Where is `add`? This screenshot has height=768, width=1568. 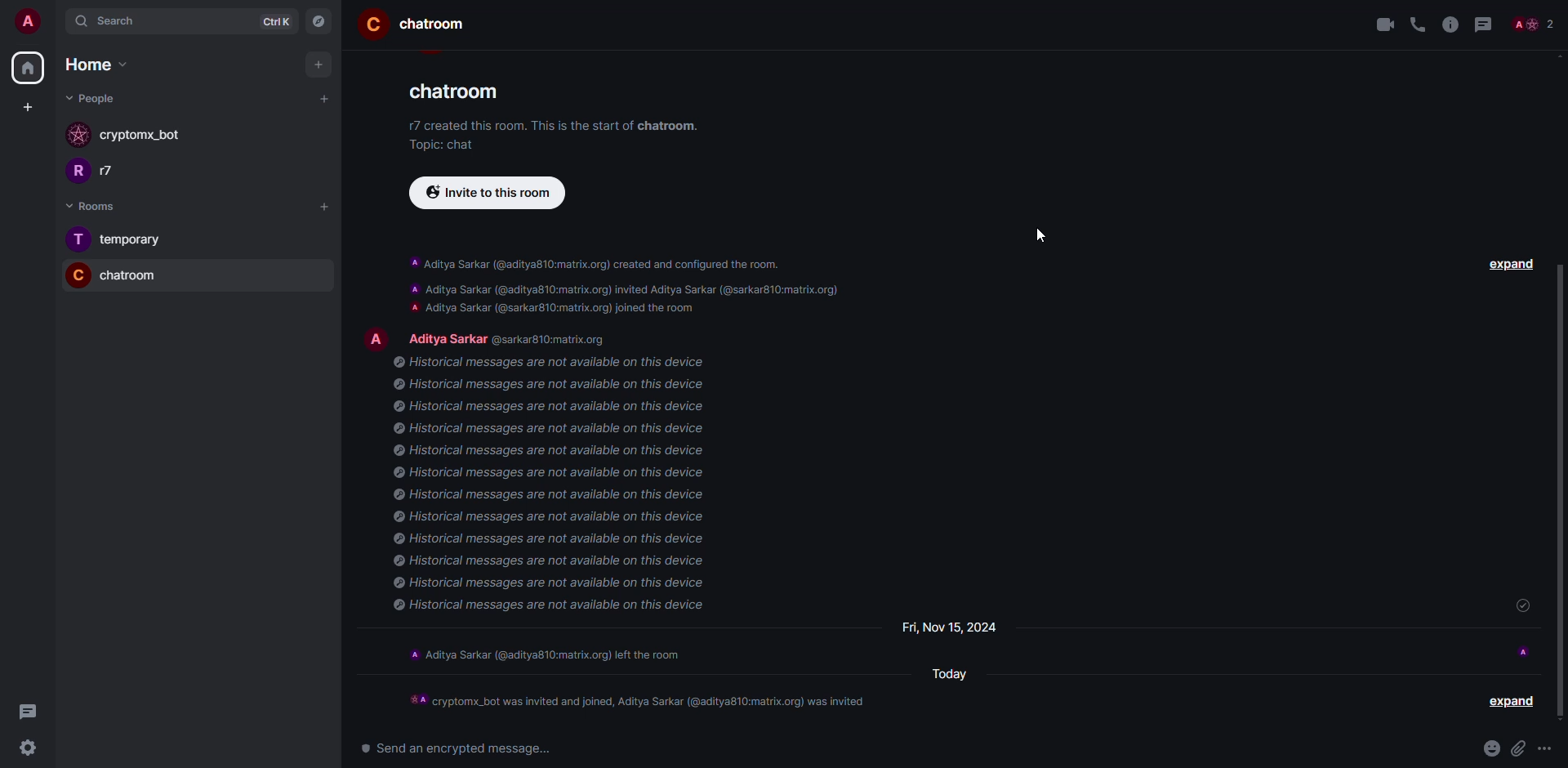 add is located at coordinates (318, 65).